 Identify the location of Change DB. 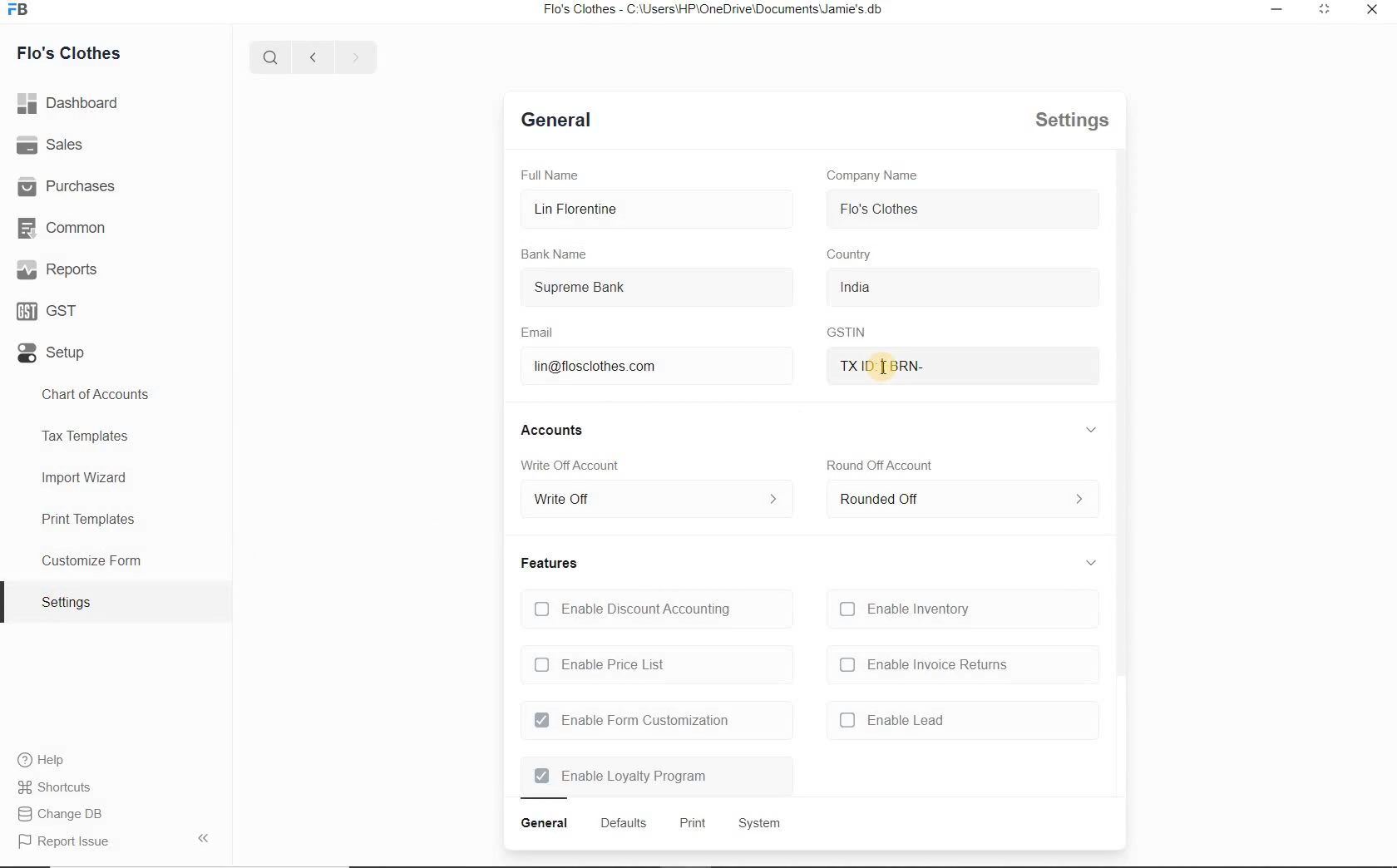
(66, 787).